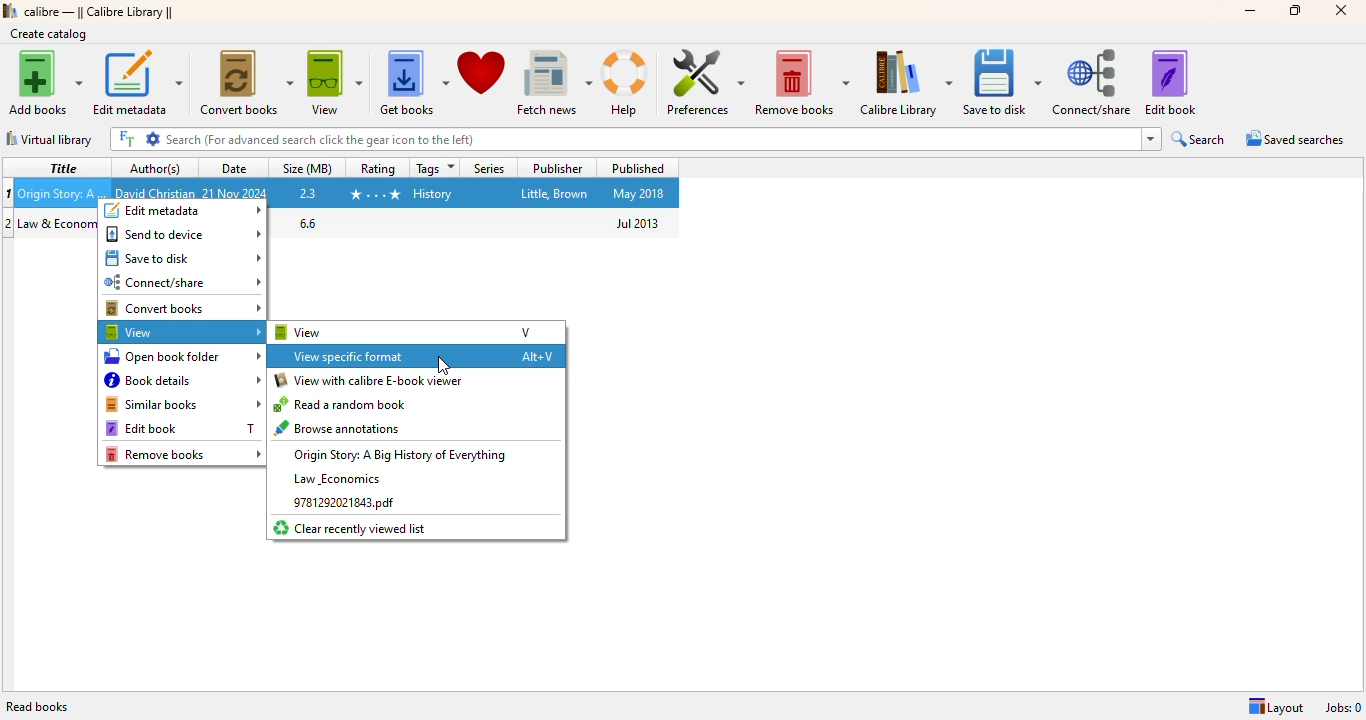 The width and height of the screenshot is (1366, 720). What do you see at coordinates (374, 195) in the screenshot?
I see `ratings` at bounding box center [374, 195].